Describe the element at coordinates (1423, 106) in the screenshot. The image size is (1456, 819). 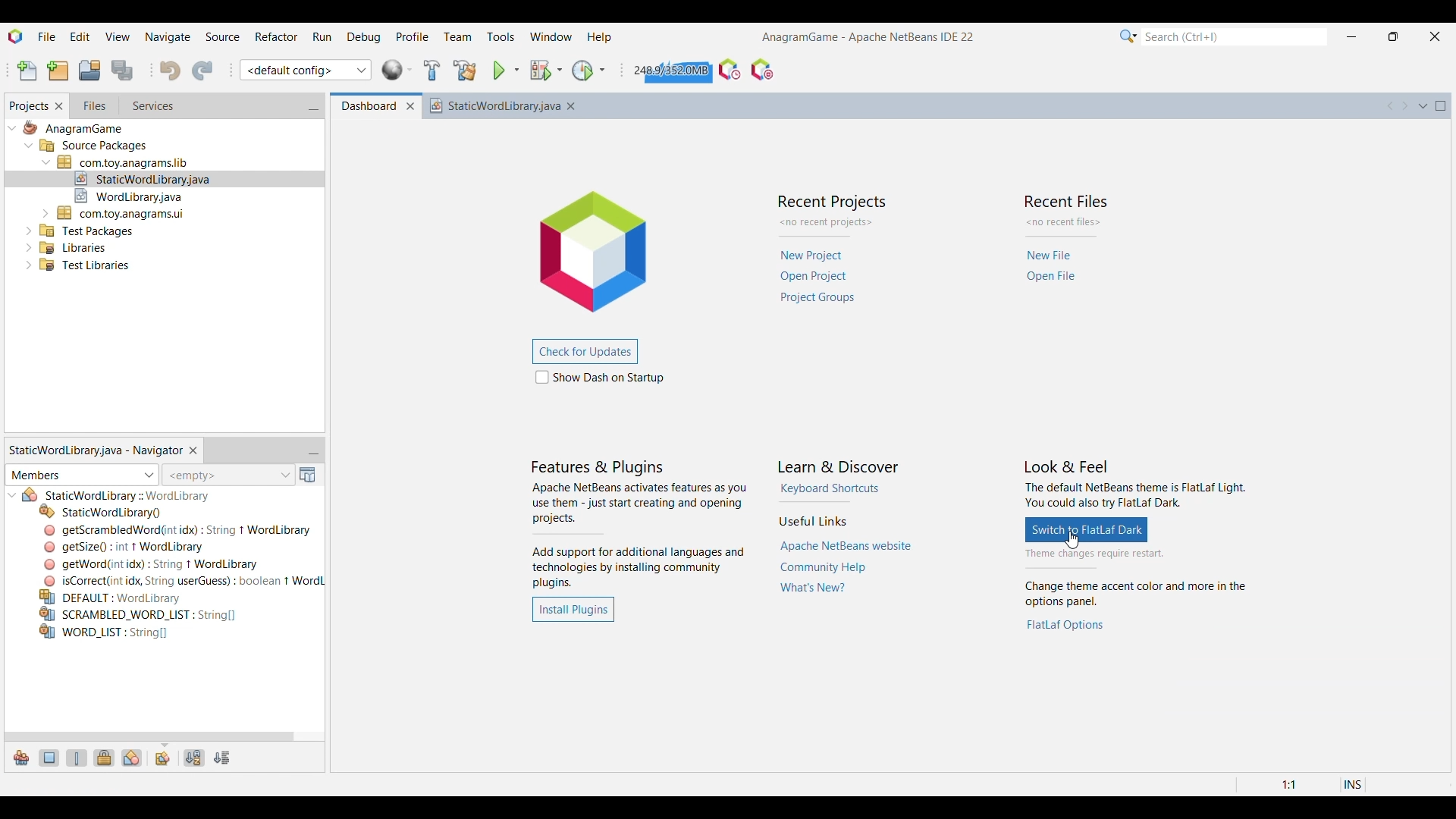
I see `Show open documents list` at that location.